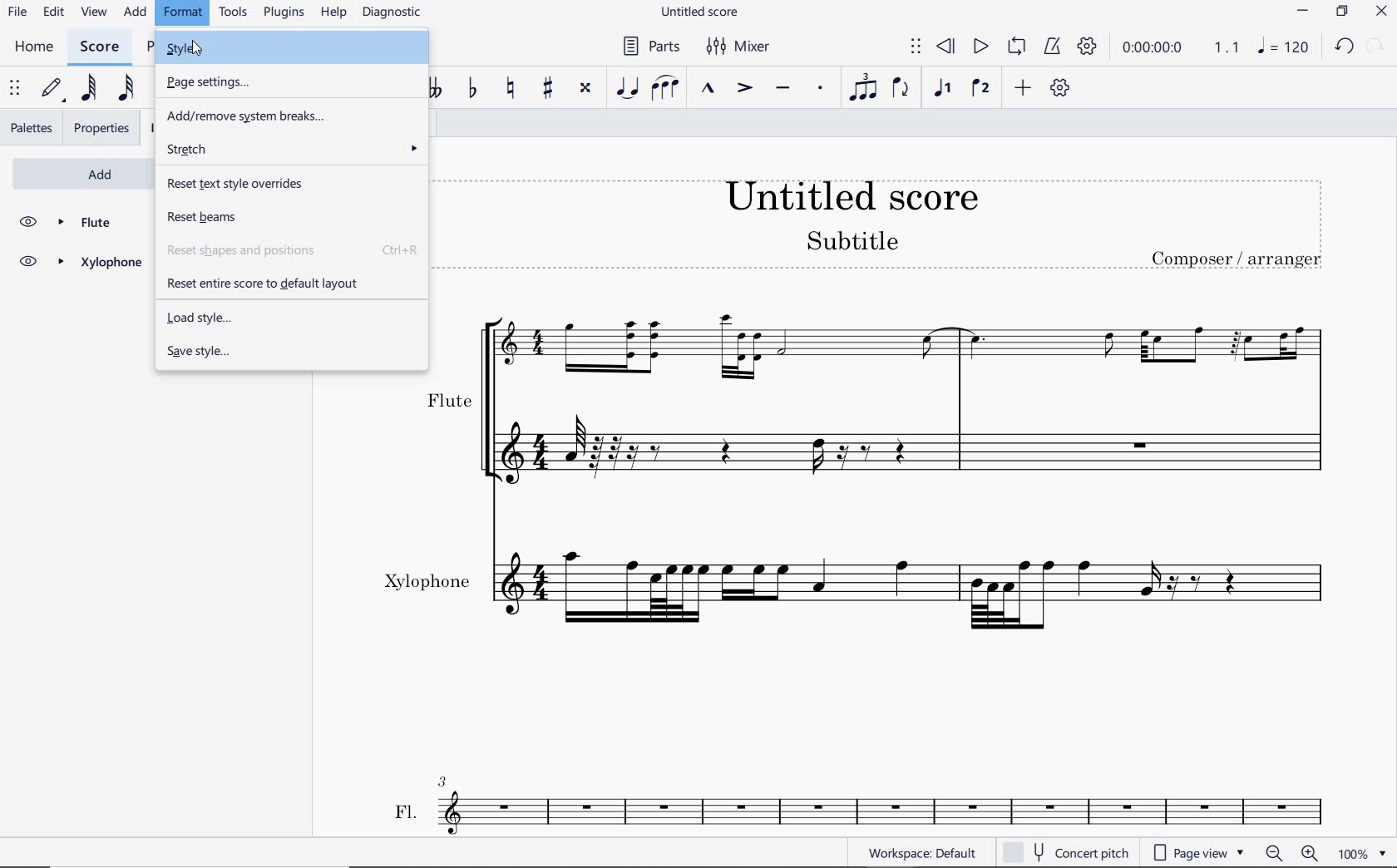 The image size is (1397, 868). I want to click on METRONOME, so click(1052, 47).